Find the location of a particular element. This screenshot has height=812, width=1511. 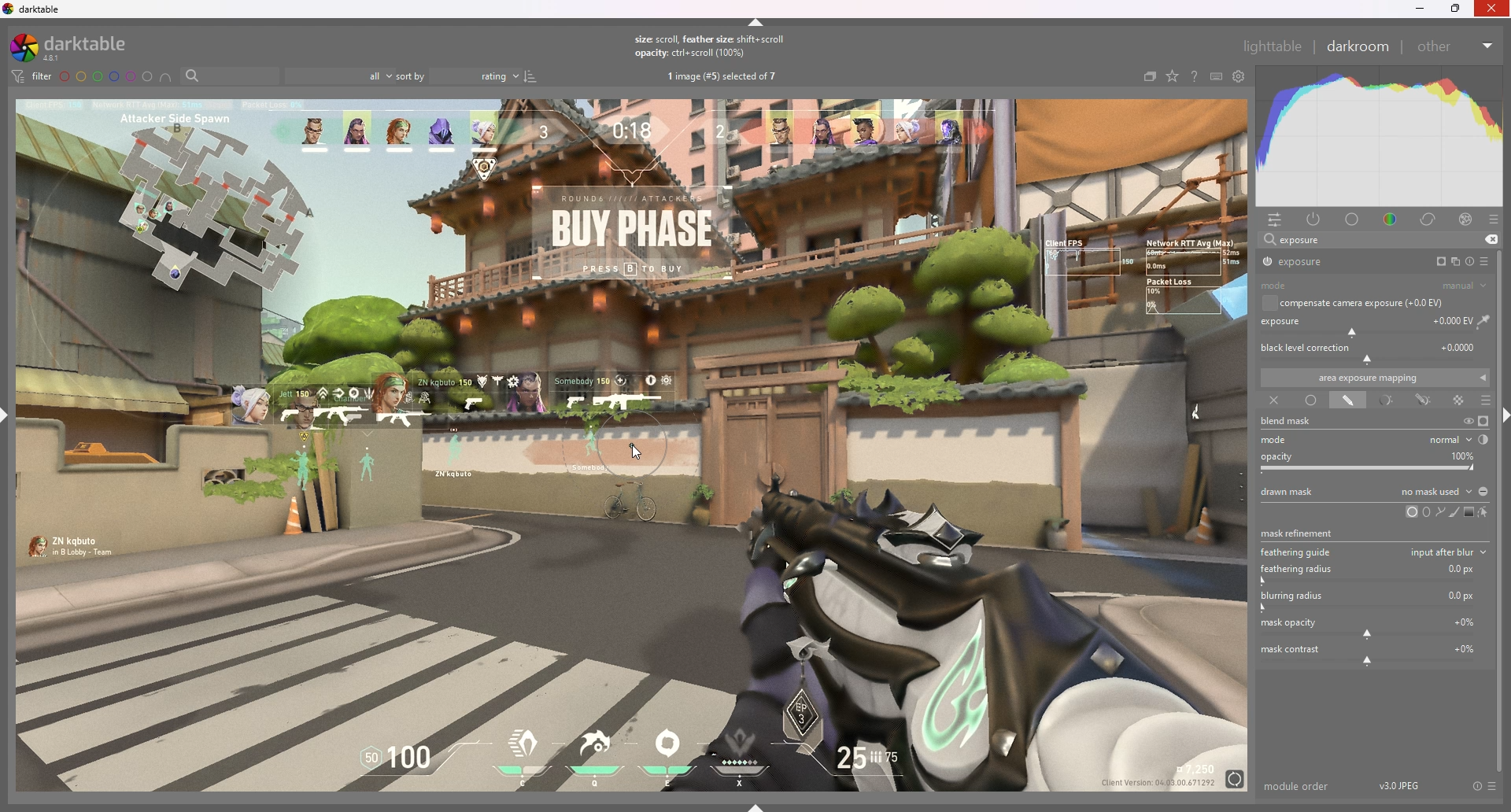

filter by name is located at coordinates (230, 75).